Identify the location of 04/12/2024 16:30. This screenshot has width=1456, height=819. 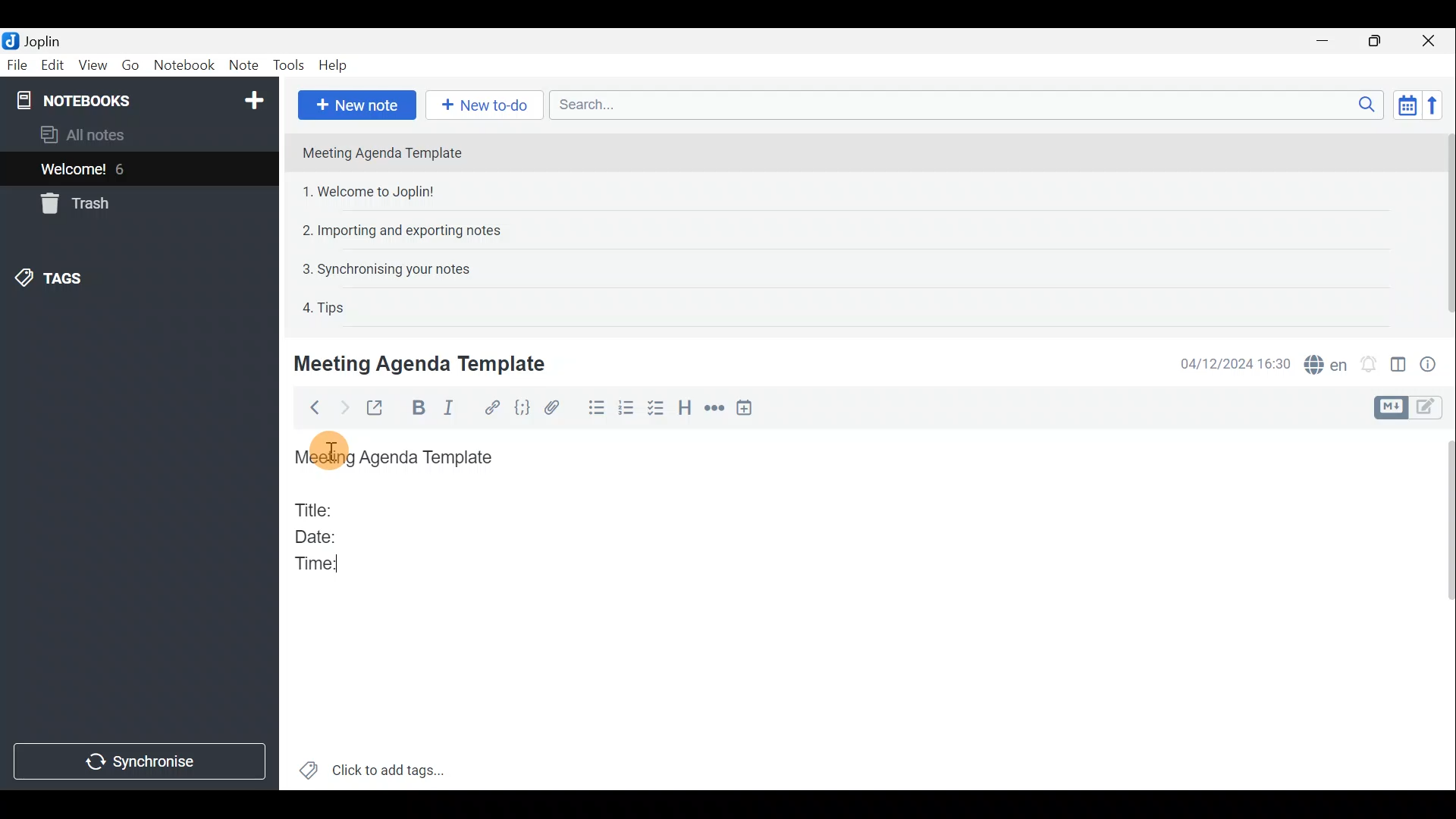
(1228, 362).